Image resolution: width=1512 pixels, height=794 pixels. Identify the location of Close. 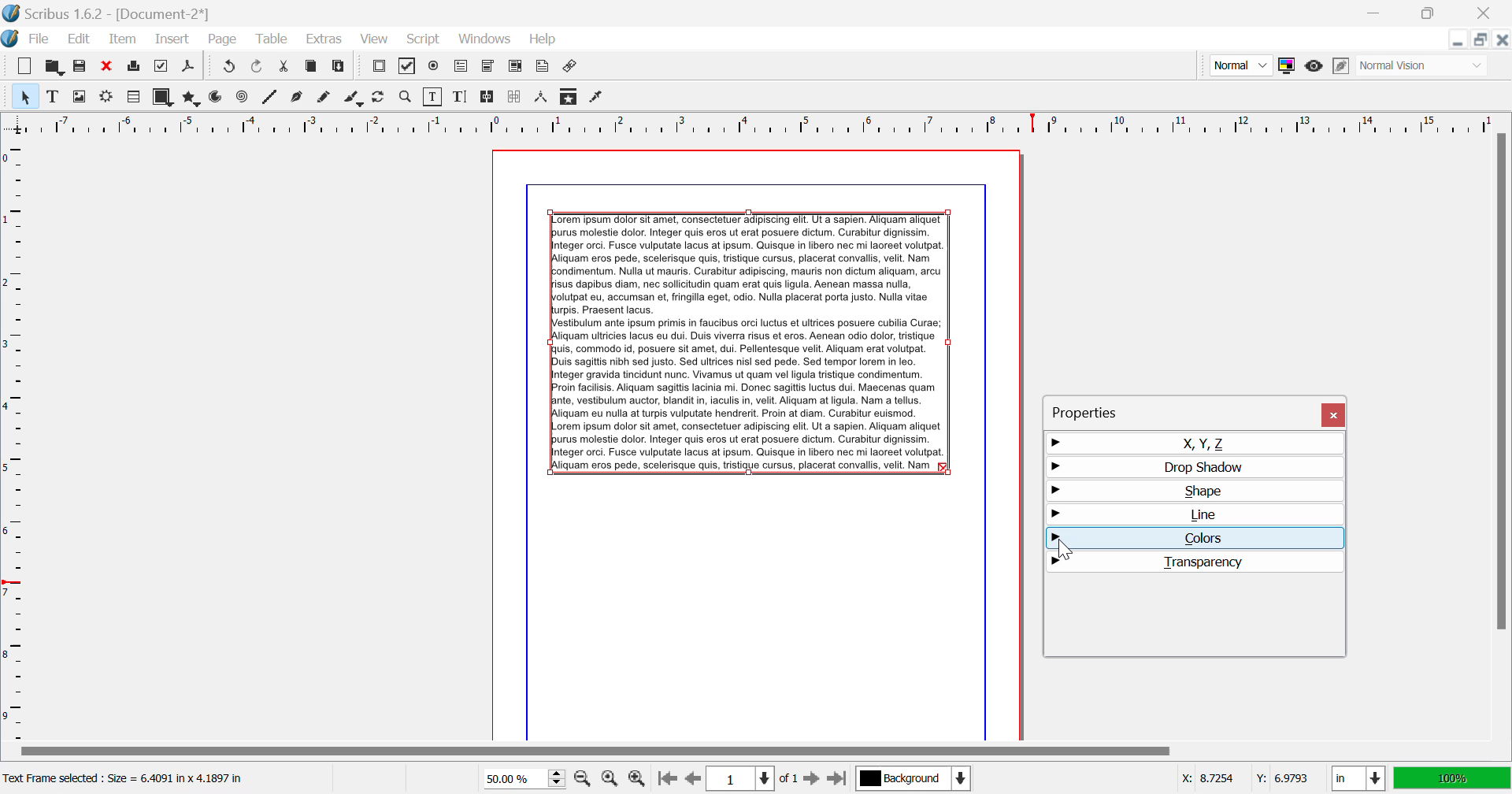
(1503, 39).